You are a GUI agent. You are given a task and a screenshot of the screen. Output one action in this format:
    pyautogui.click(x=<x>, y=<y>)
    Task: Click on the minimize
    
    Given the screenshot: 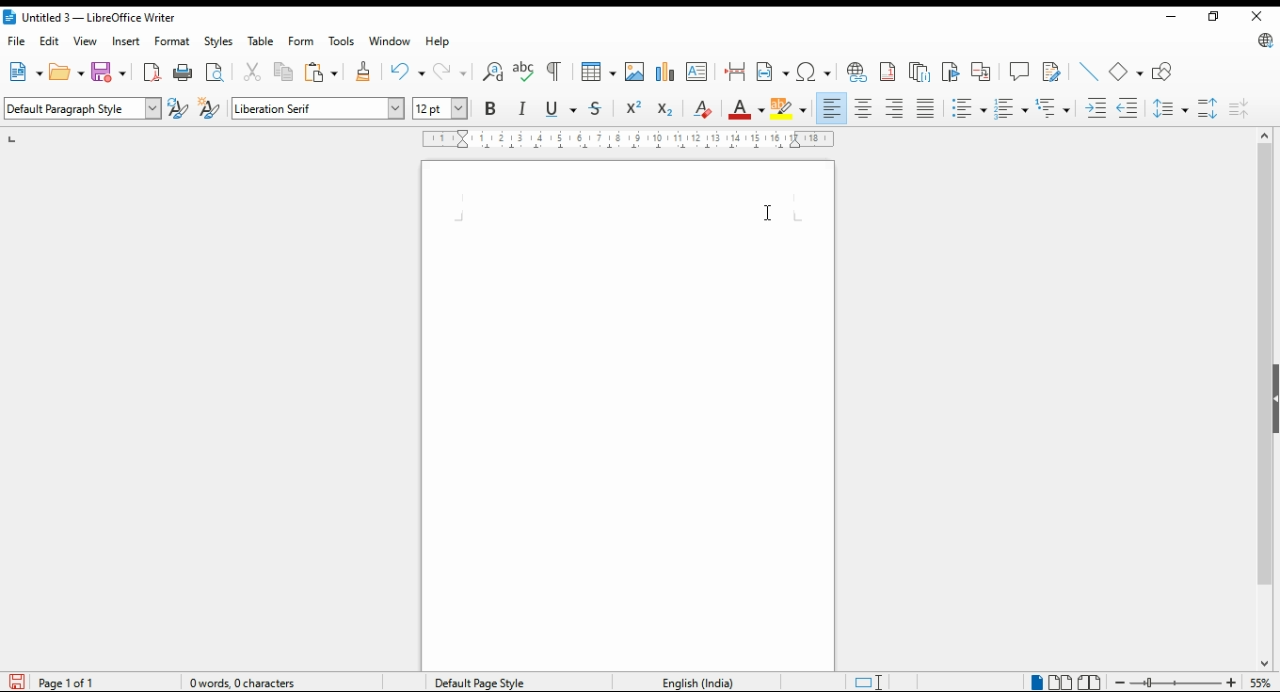 What is the action you would take?
    pyautogui.click(x=1169, y=15)
    